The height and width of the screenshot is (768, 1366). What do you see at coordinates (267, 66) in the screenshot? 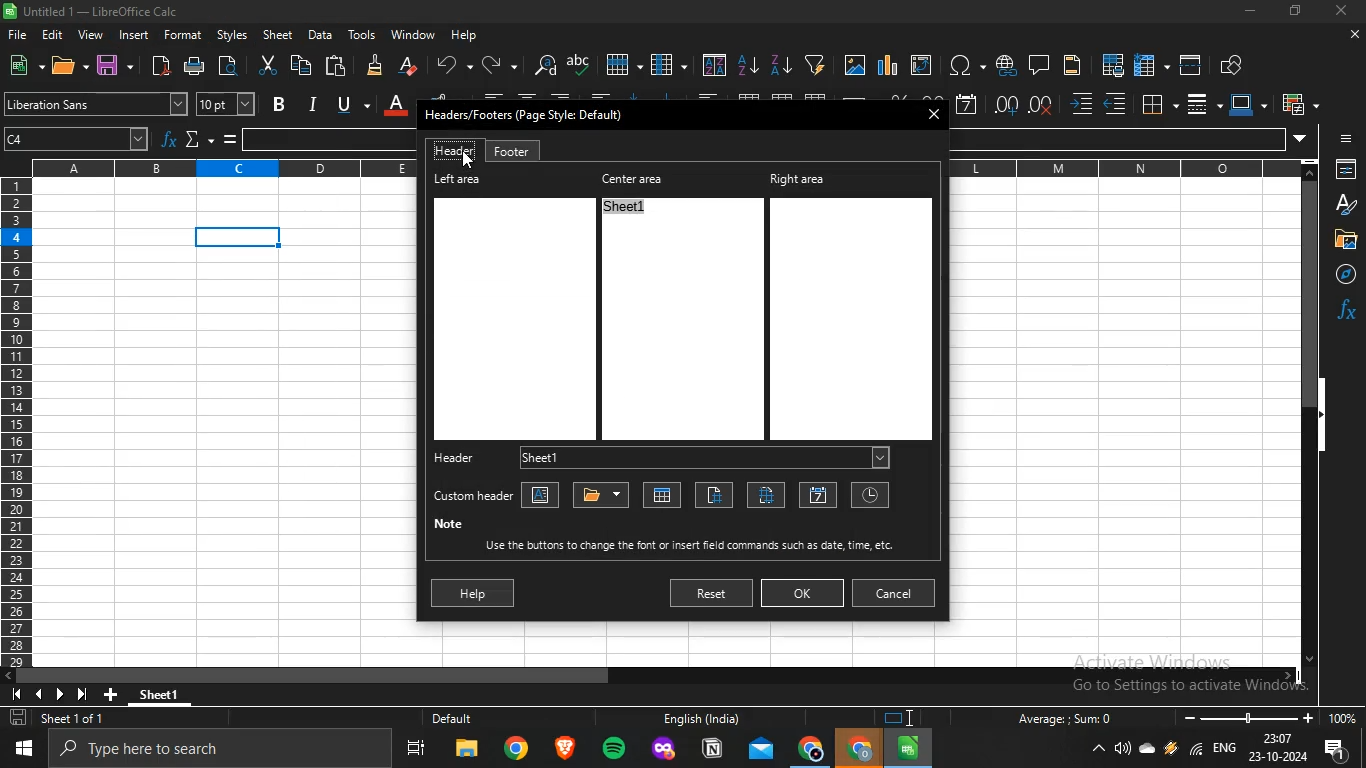
I see `cut` at bounding box center [267, 66].